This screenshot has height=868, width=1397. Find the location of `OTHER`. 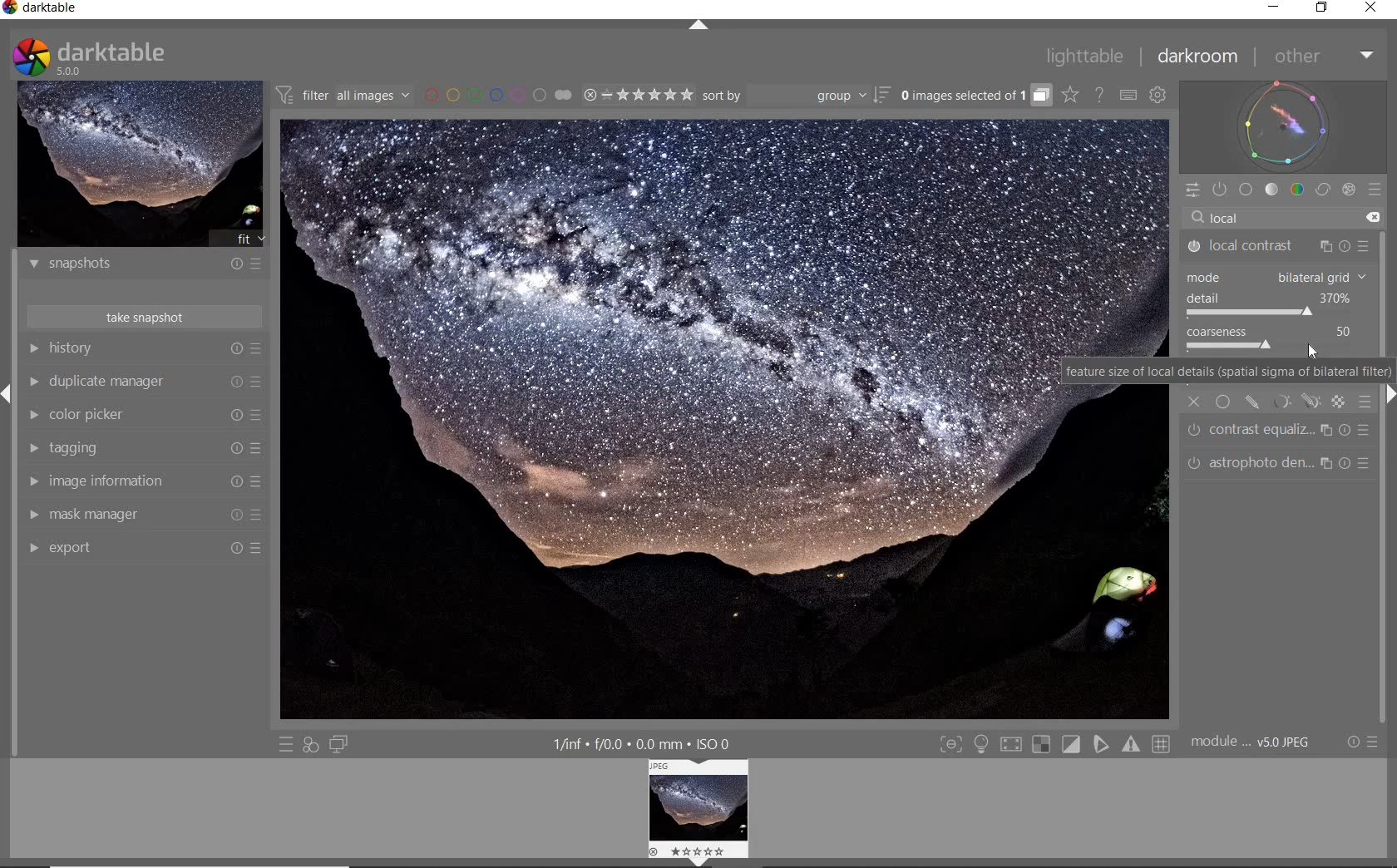

OTHER is located at coordinates (1324, 57).